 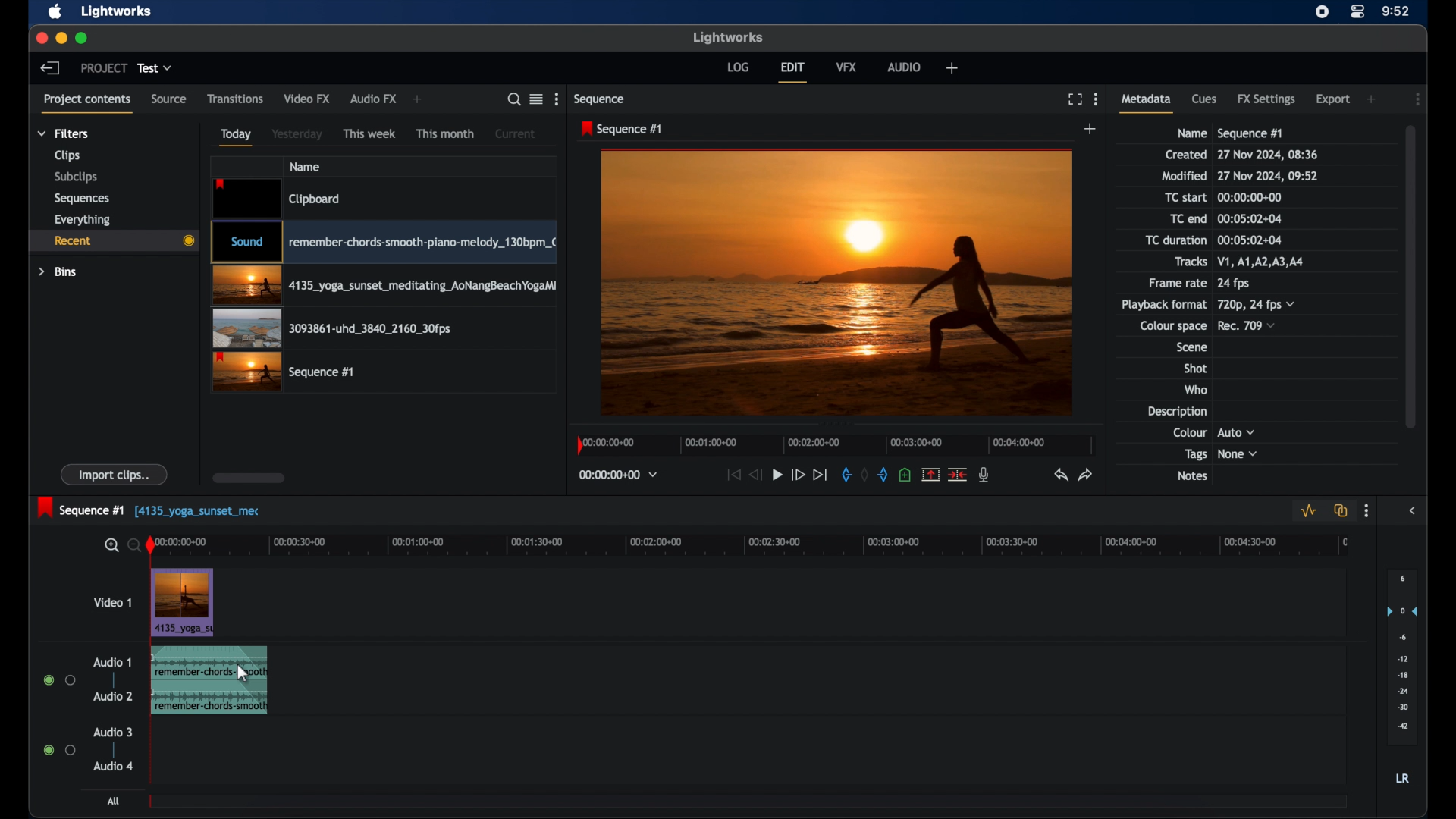 I want to click on 720p, 24fps, so click(x=1257, y=304).